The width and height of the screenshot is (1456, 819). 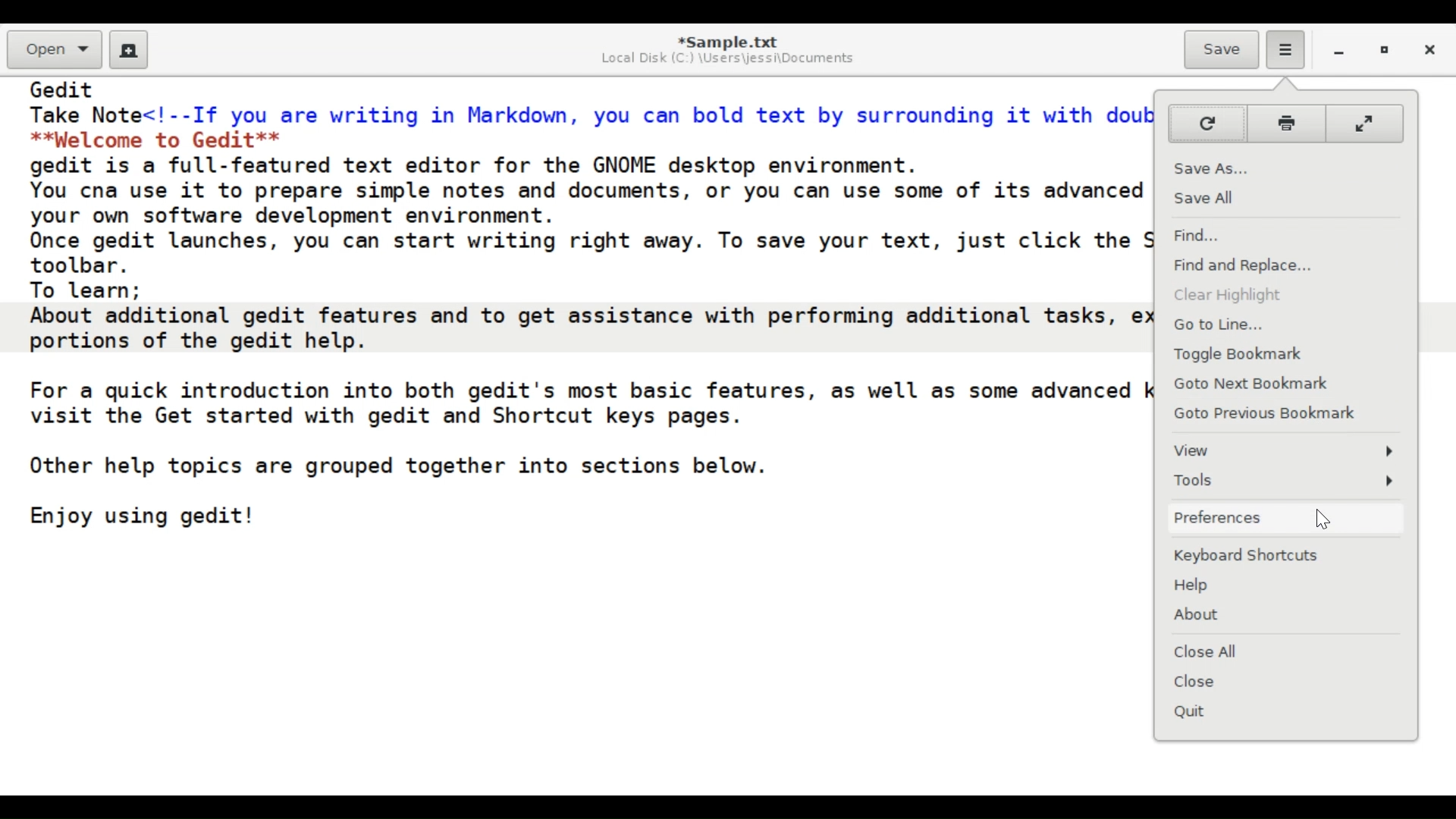 What do you see at coordinates (1207, 124) in the screenshot?
I see `Refresh` at bounding box center [1207, 124].